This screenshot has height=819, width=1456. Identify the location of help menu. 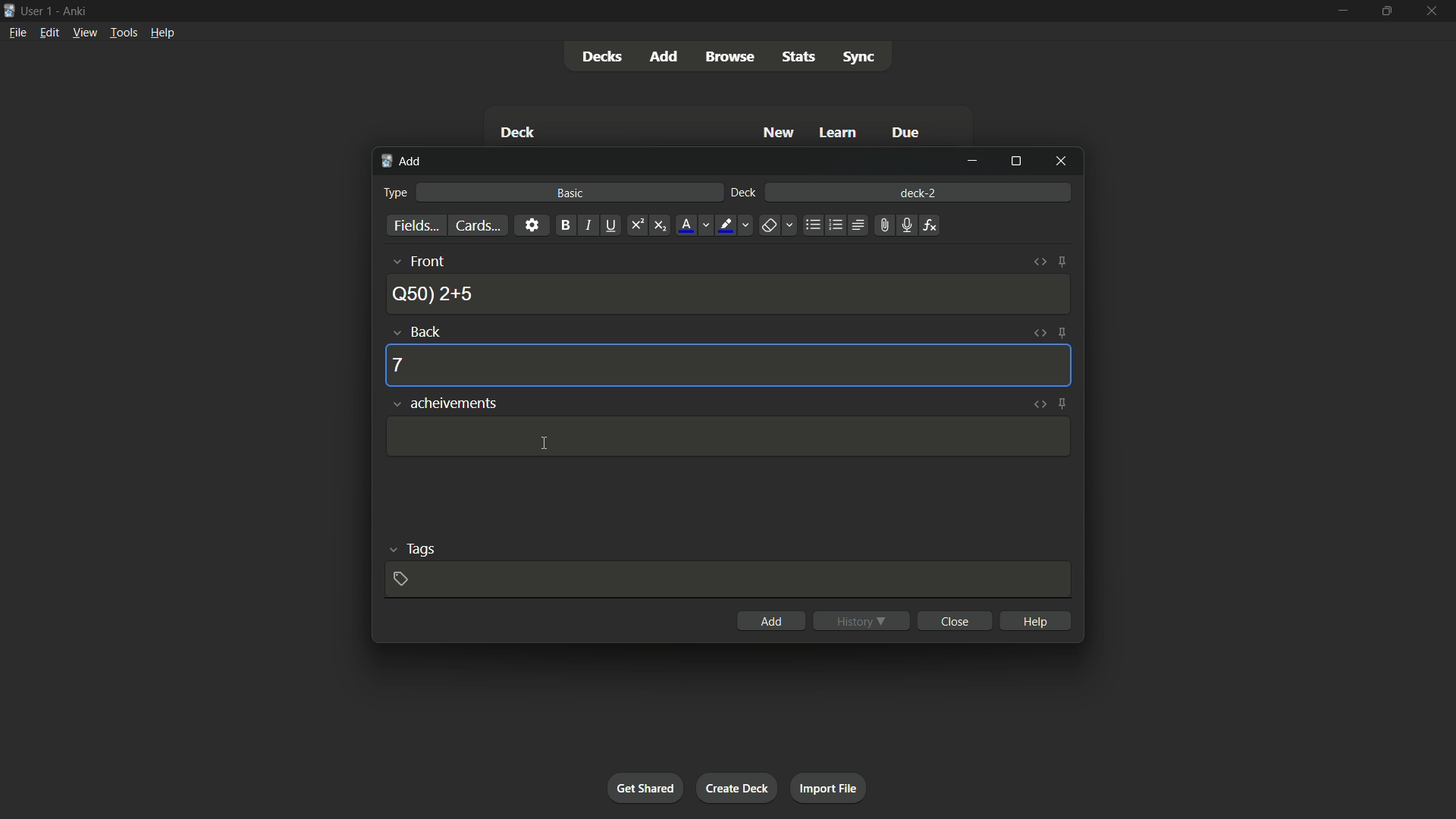
(164, 32).